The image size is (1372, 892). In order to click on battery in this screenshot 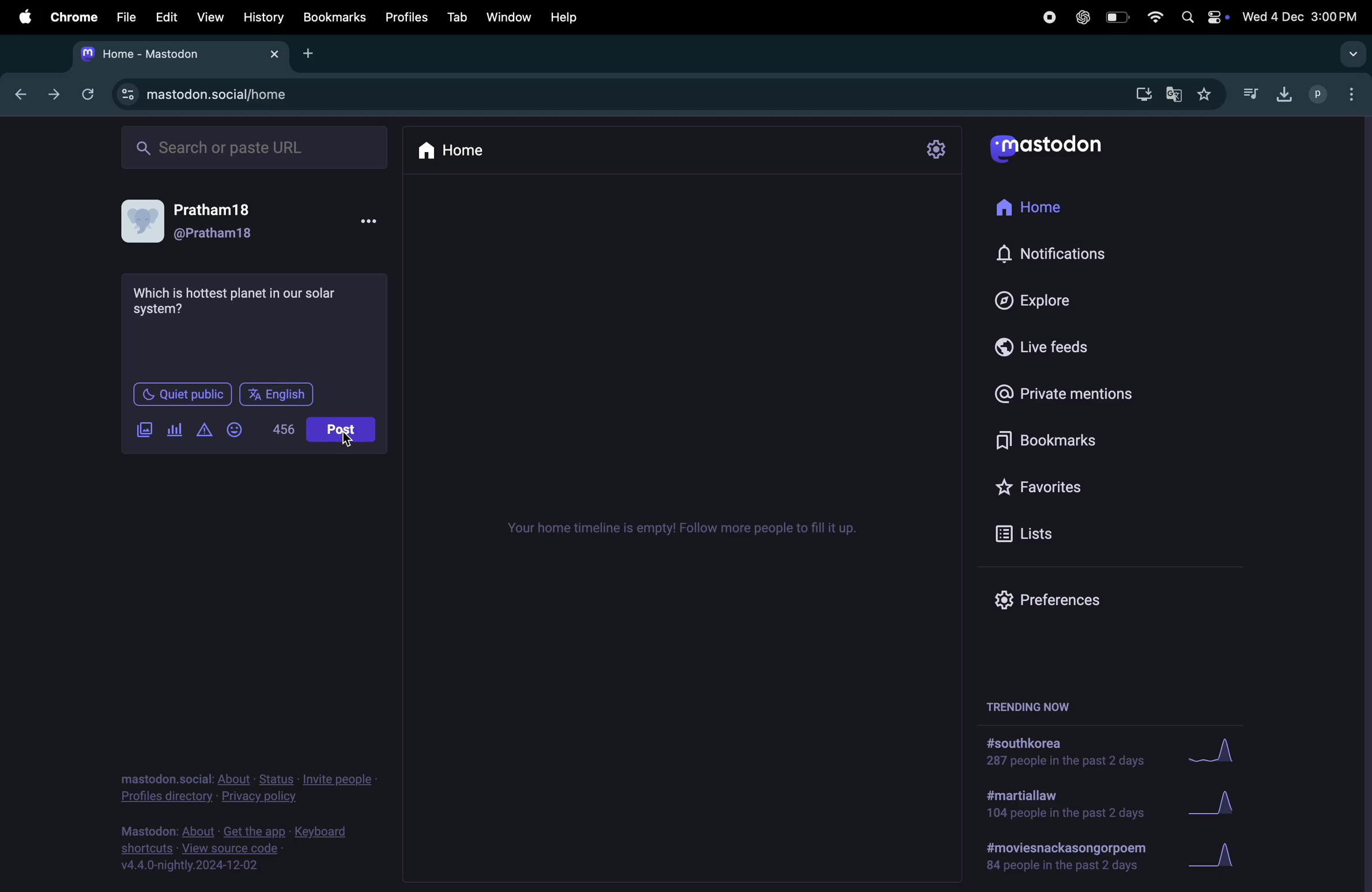, I will do `click(1116, 17)`.